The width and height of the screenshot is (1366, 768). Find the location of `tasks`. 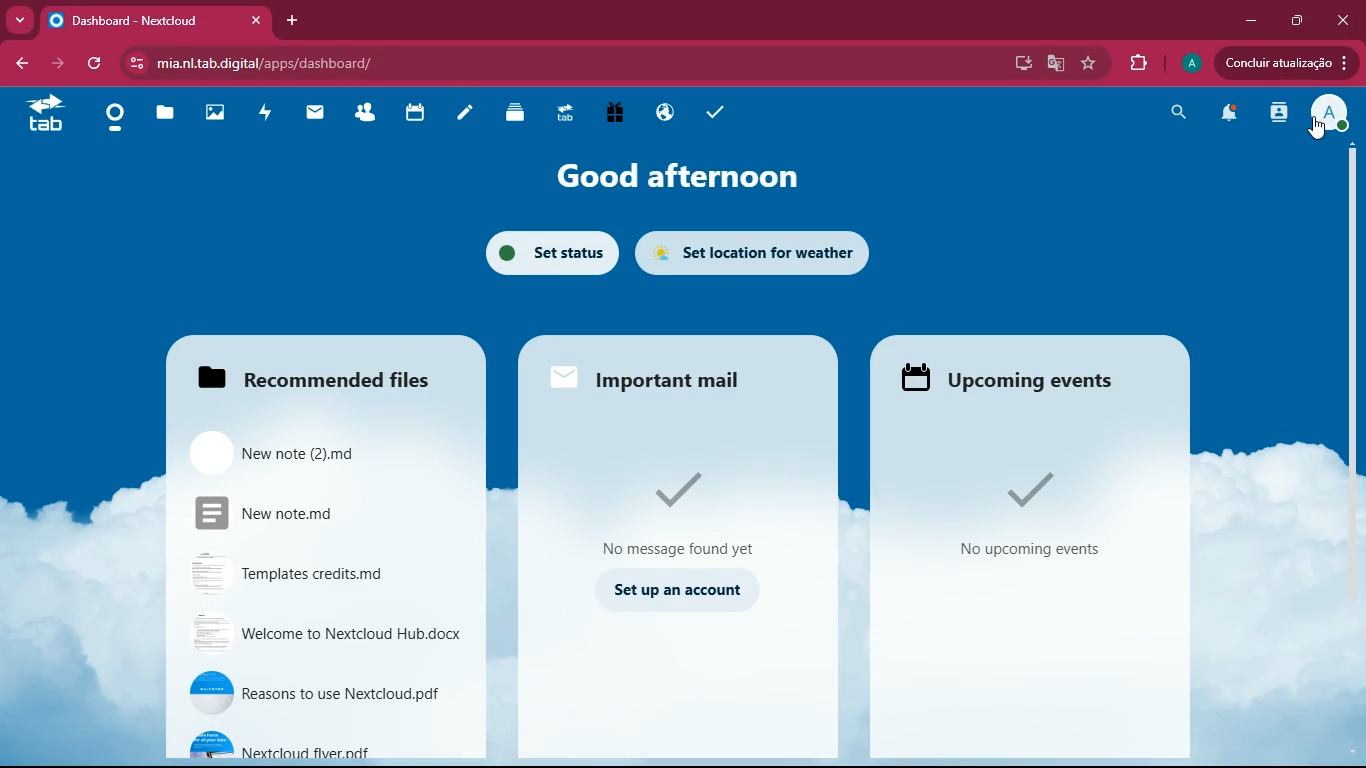

tasks is located at coordinates (718, 114).